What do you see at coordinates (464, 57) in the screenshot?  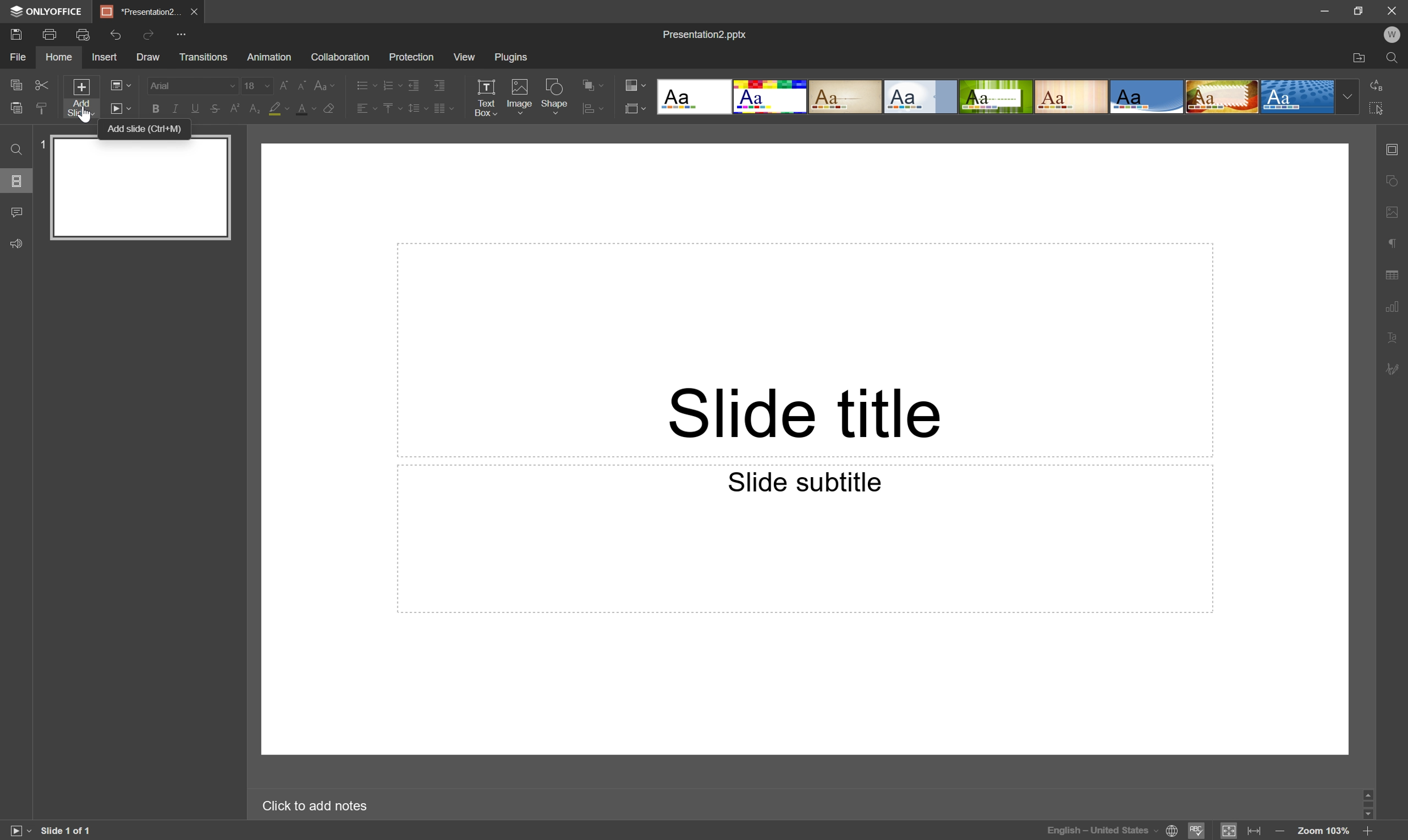 I see `View` at bounding box center [464, 57].